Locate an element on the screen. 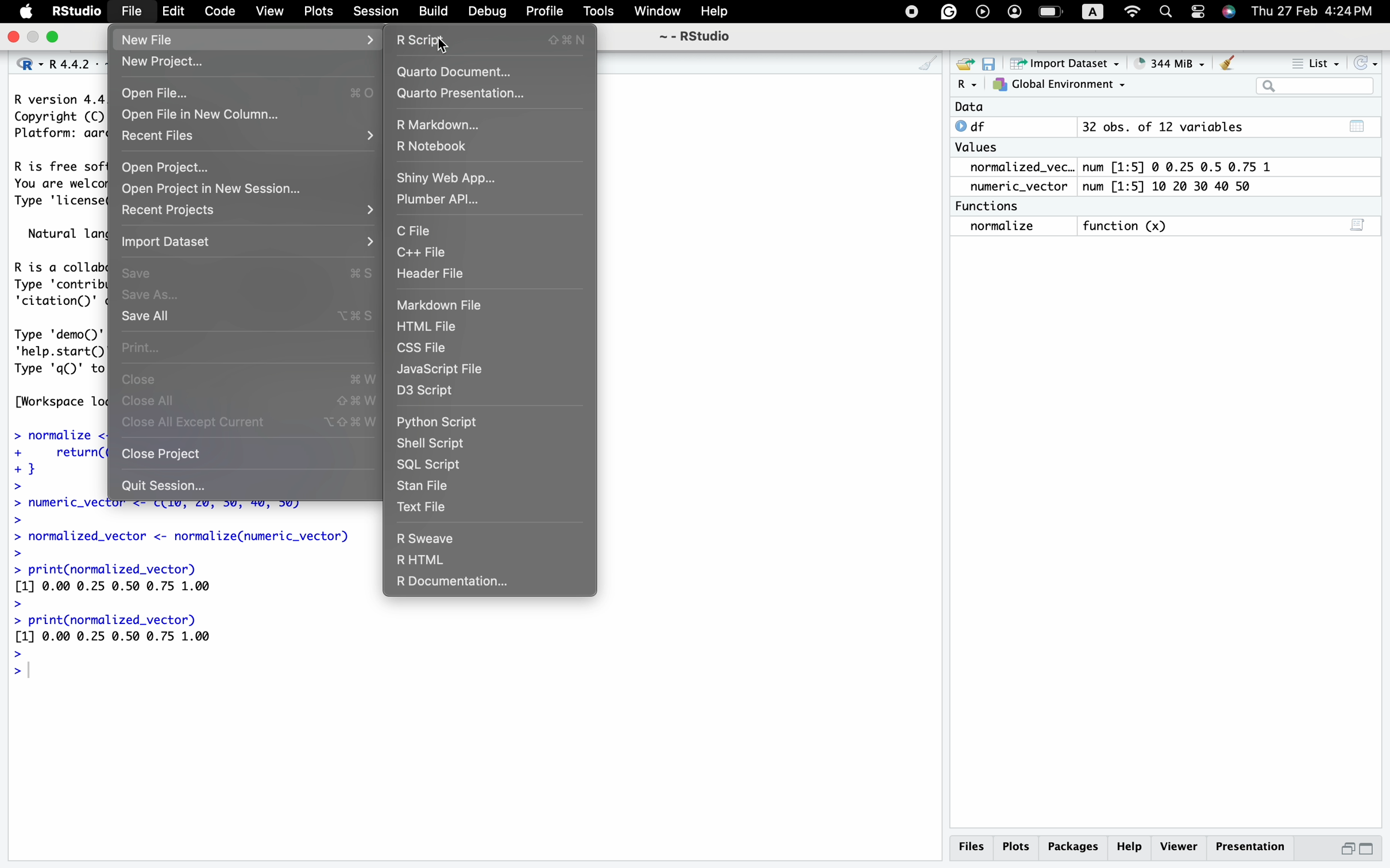  Cursor is located at coordinates (443, 51).